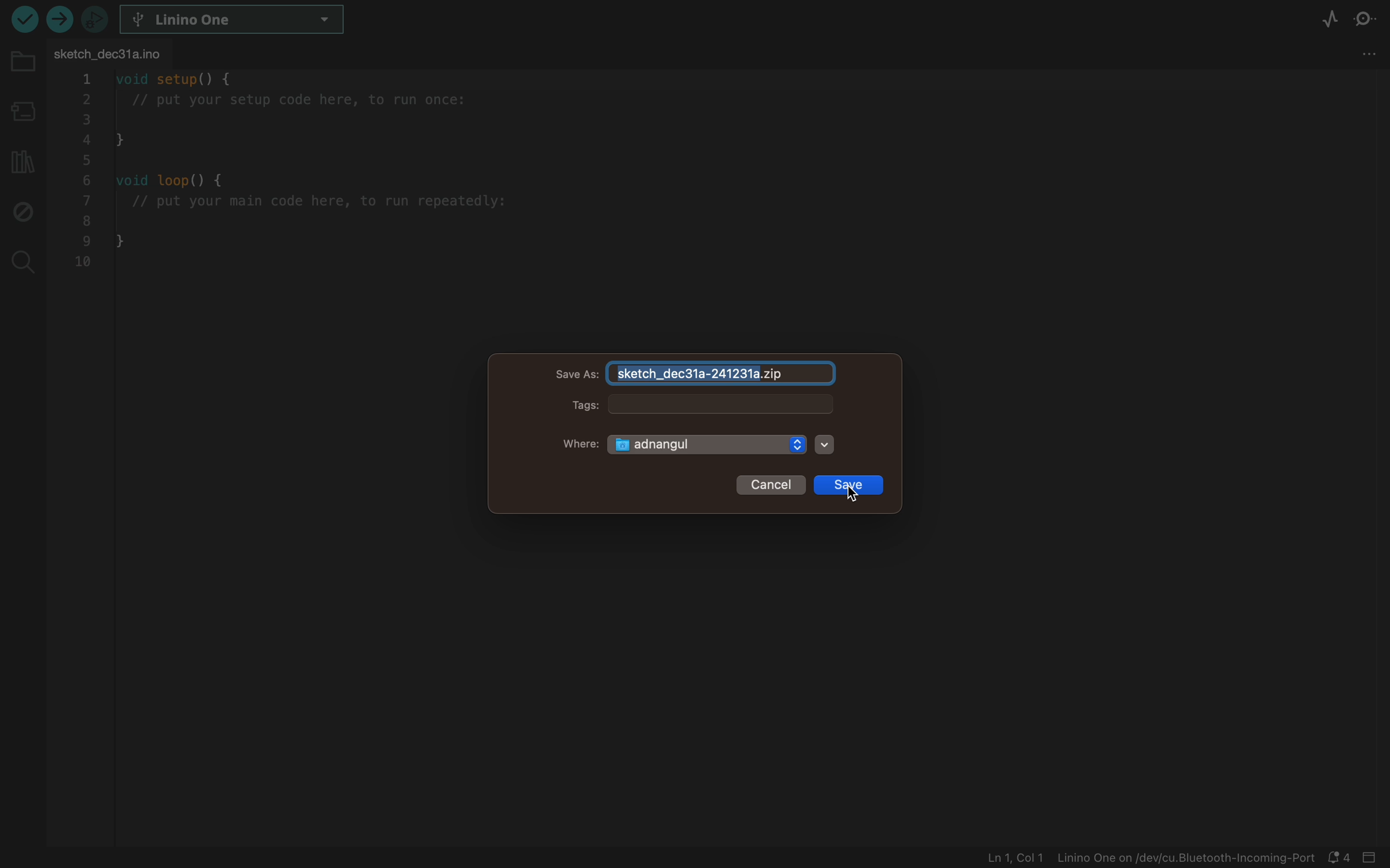 The height and width of the screenshot is (868, 1390). Describe the element at coordinates (24, 262) in the screenshot. I see `search` at that location.